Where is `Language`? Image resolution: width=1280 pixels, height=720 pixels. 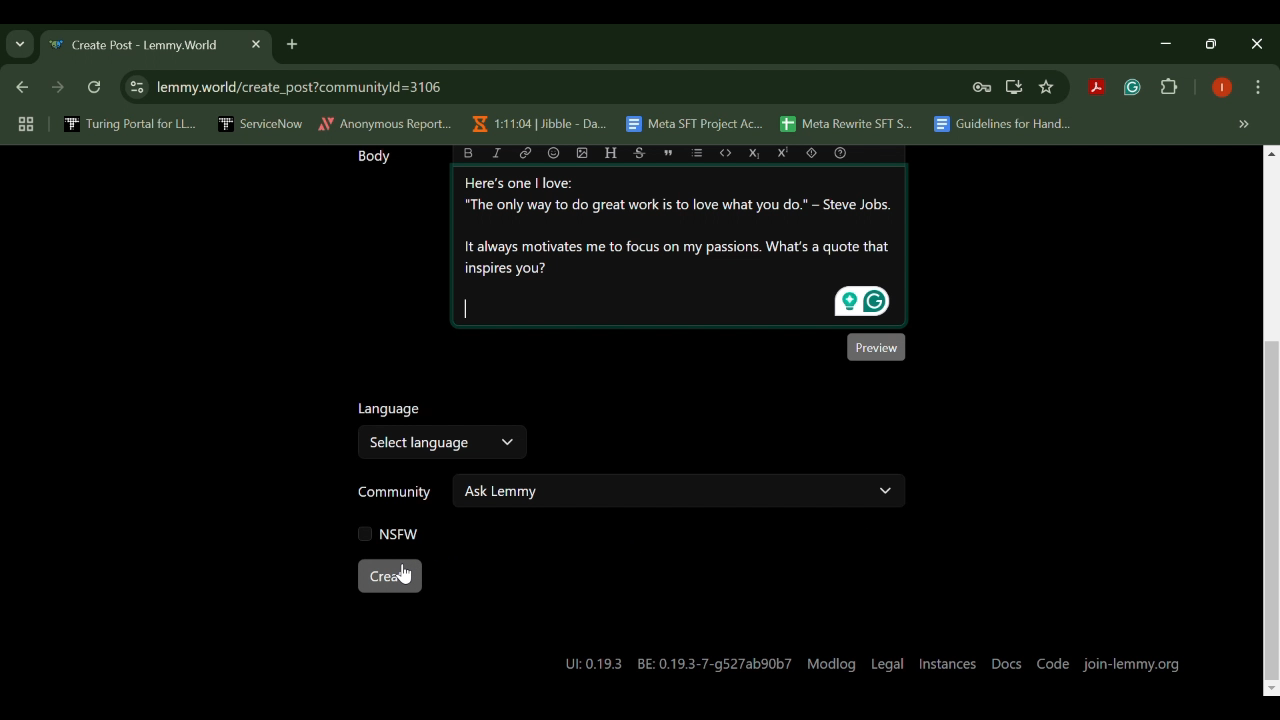 Language is located at coordinates (391, 411).